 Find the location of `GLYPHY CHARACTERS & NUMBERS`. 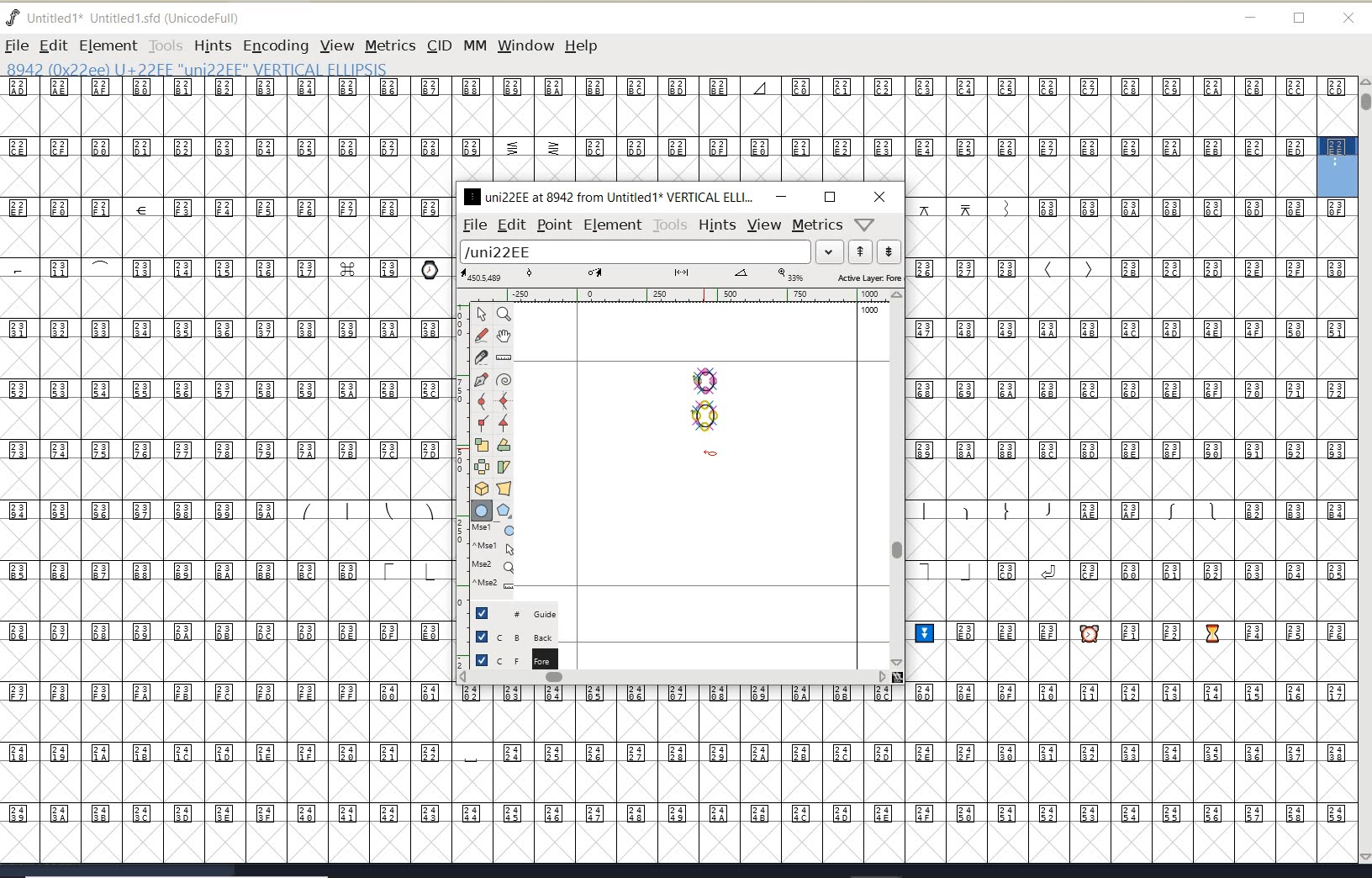

GLYPHY CHARACTERS & NUMBERS is located at coordinates (223, 431).